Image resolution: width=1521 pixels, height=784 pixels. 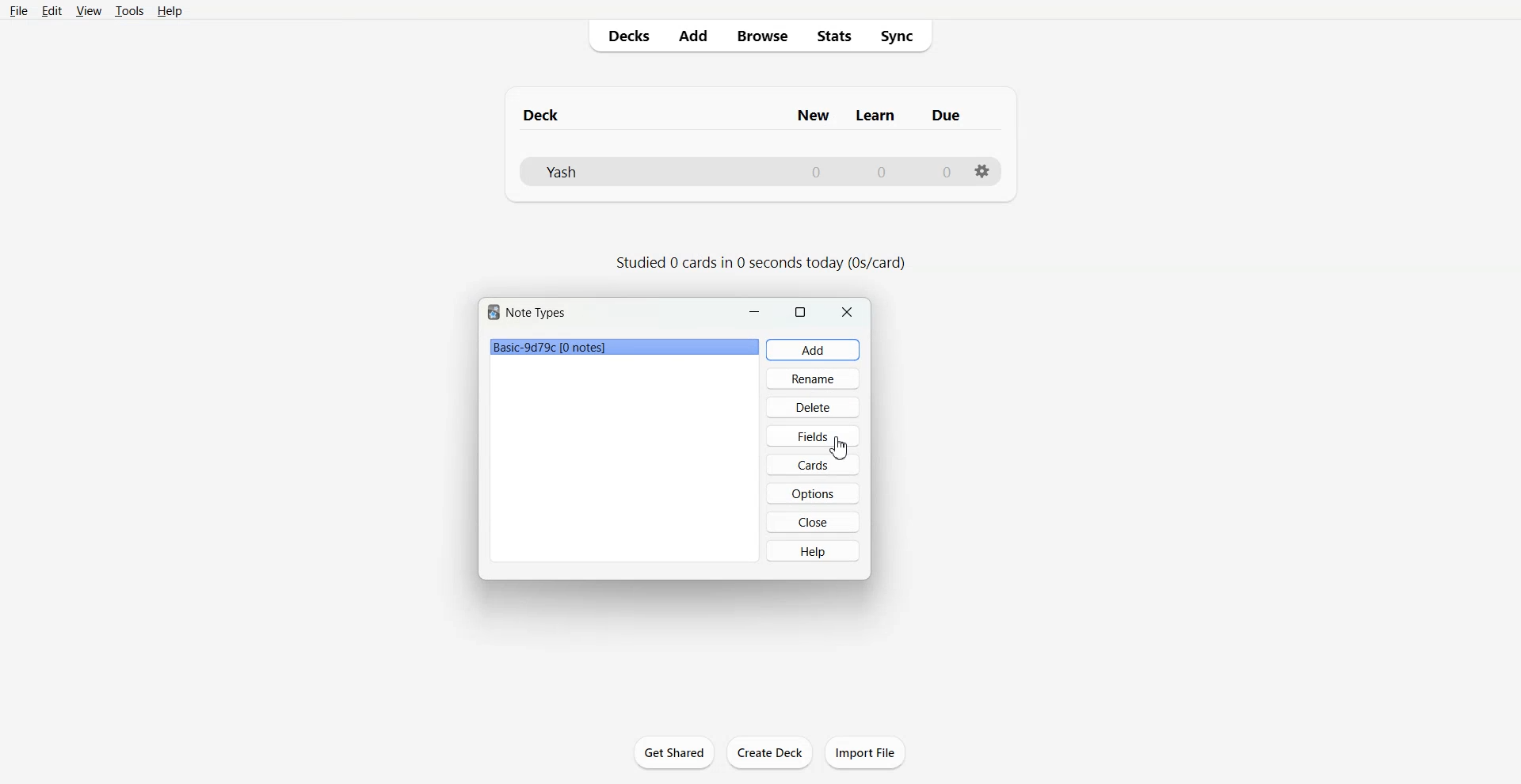 What do you see at coordinates (623, 36) in the screenshot?
I see `Decks` at bounding box center [623, 36].